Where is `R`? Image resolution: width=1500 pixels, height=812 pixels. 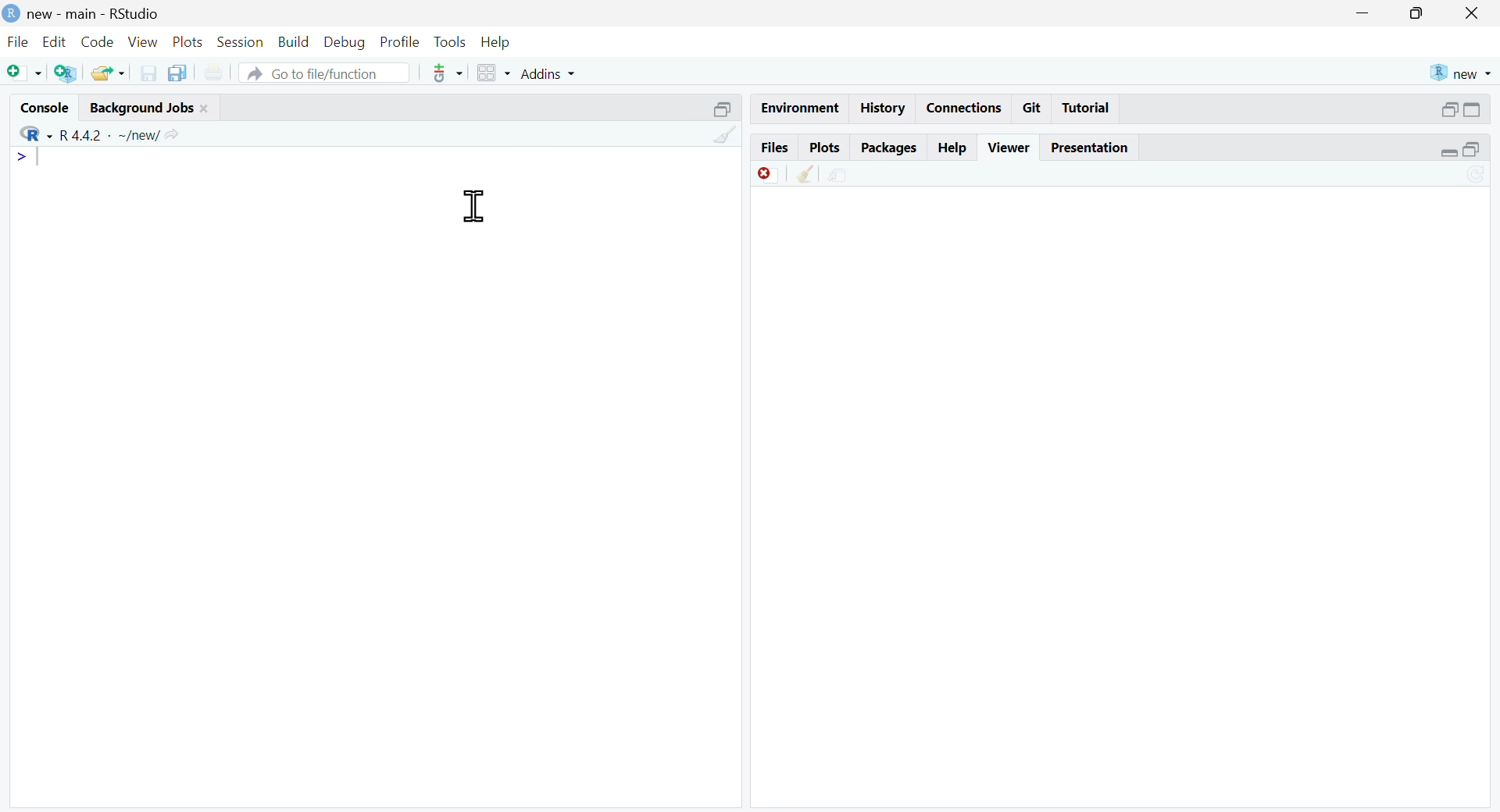 R is located at coordinates (36, 134).